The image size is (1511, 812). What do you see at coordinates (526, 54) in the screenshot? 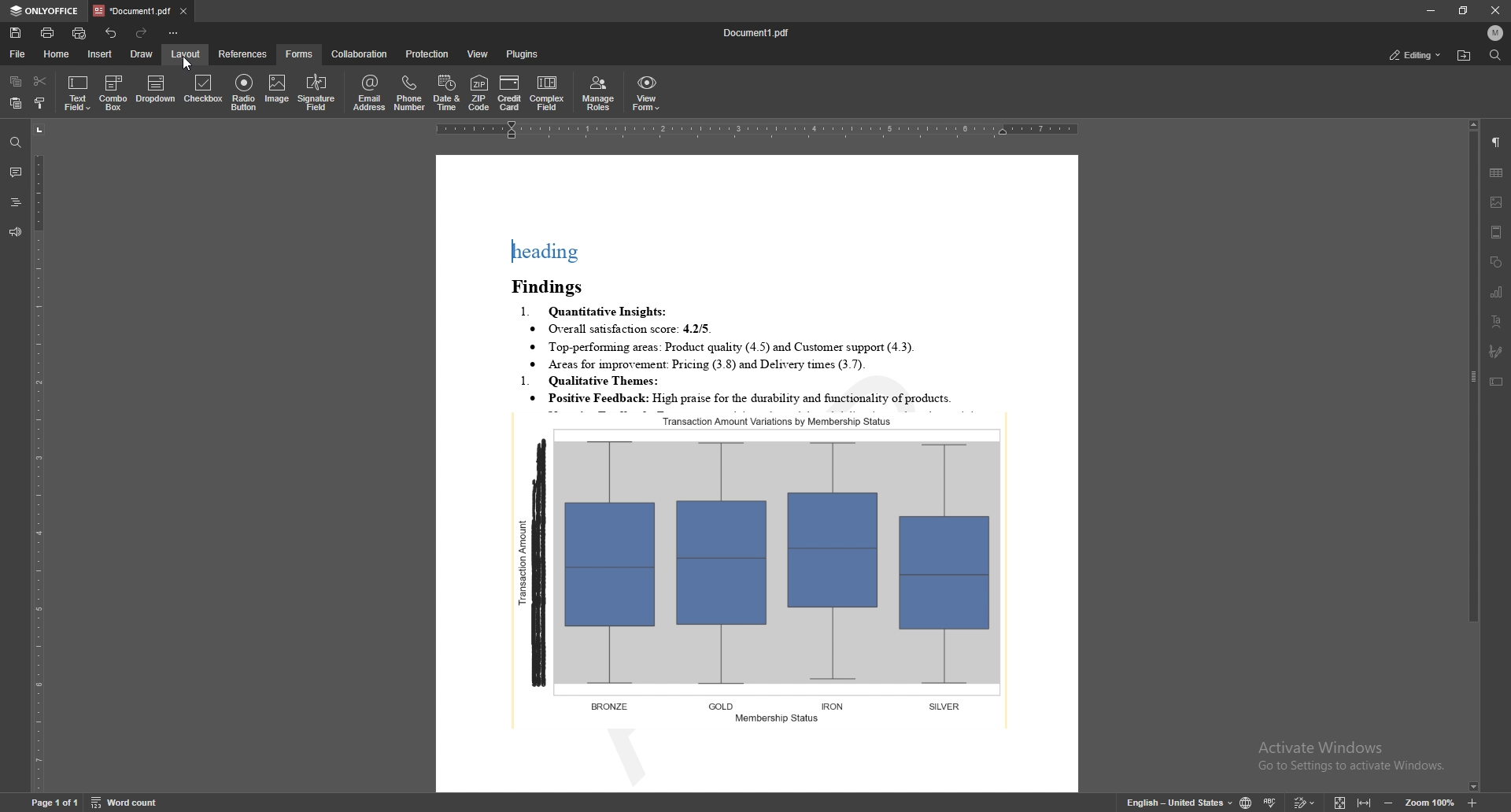
I see `plugins` at bounding box center [526, 54].